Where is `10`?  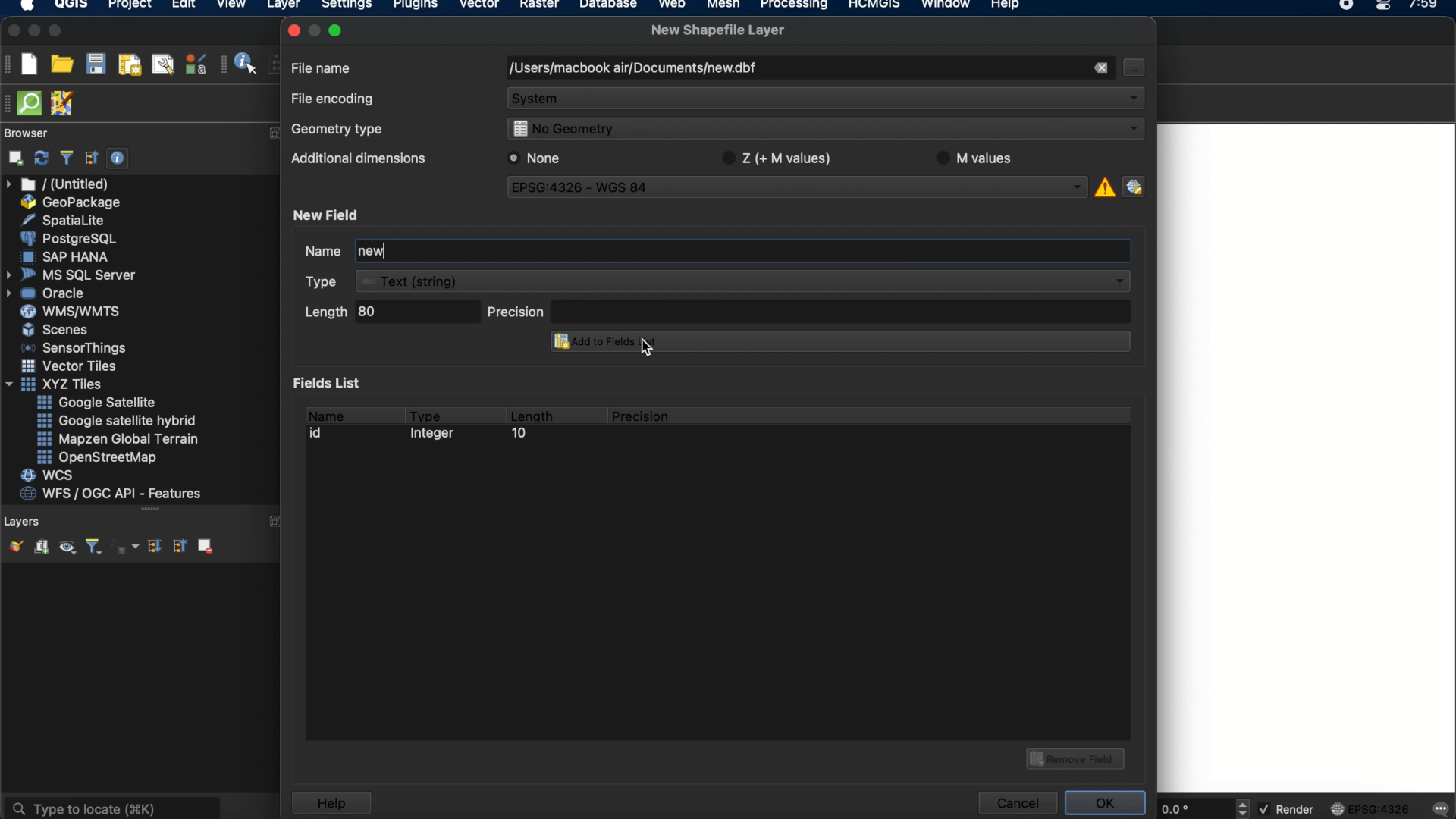 10 is located at coordinates (518, 435).